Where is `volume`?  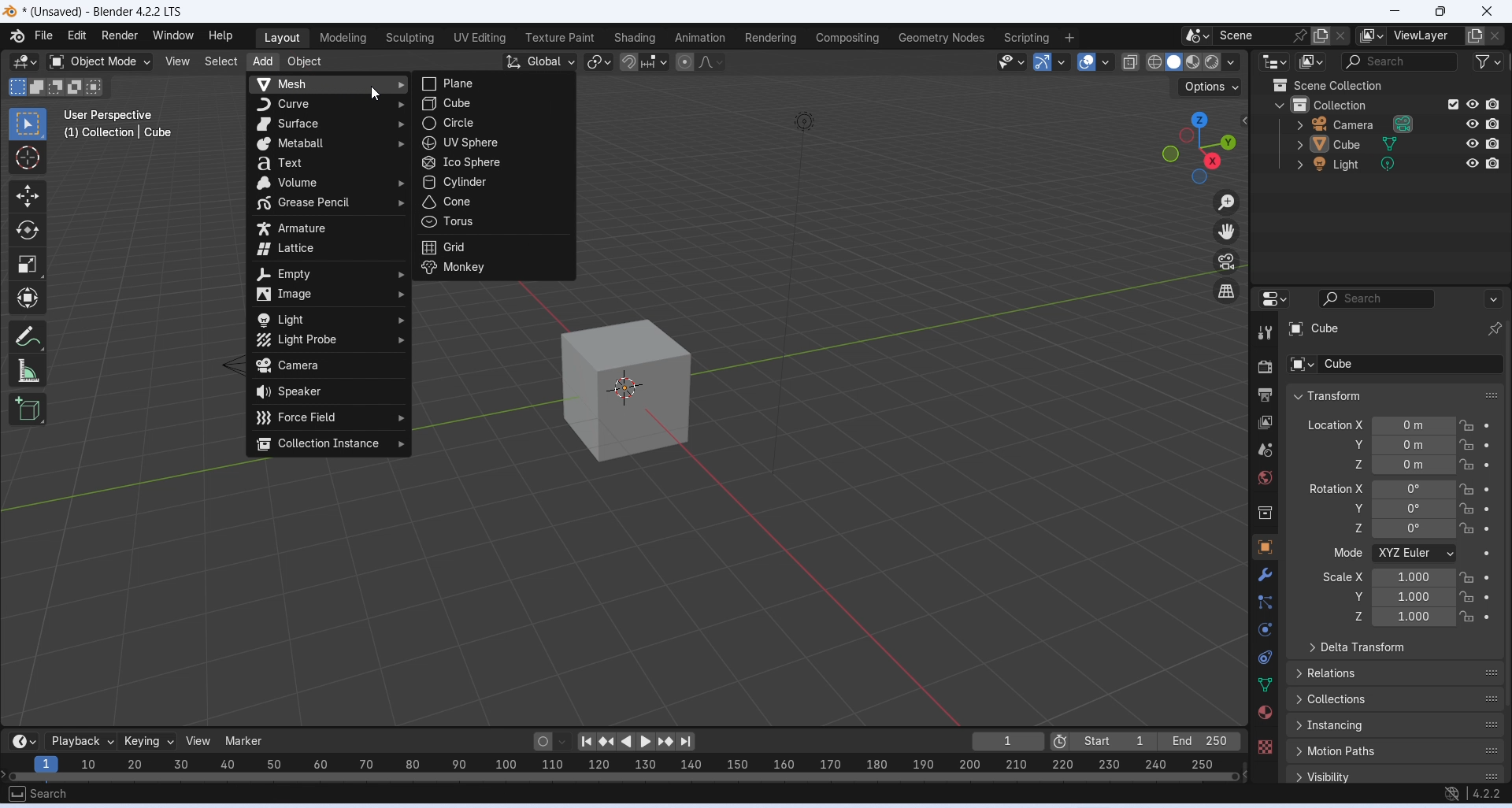
volume is located at coordinates (328, 183).